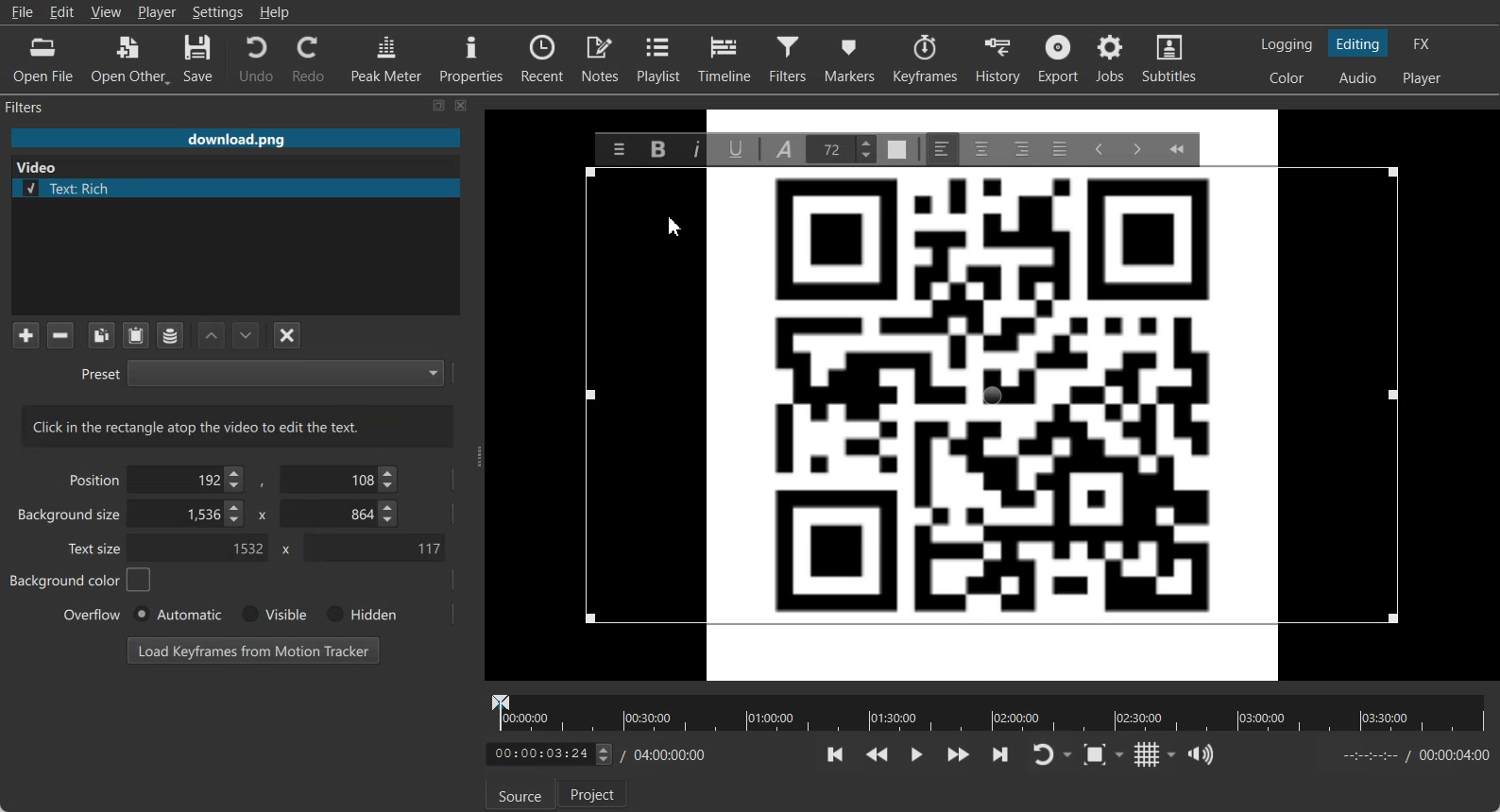 This screenshot has height=812, width=1500. What do you see at coordinates (992, 396) in the screenshot?
I see `Text Frame` at bounding box center [992, 396].